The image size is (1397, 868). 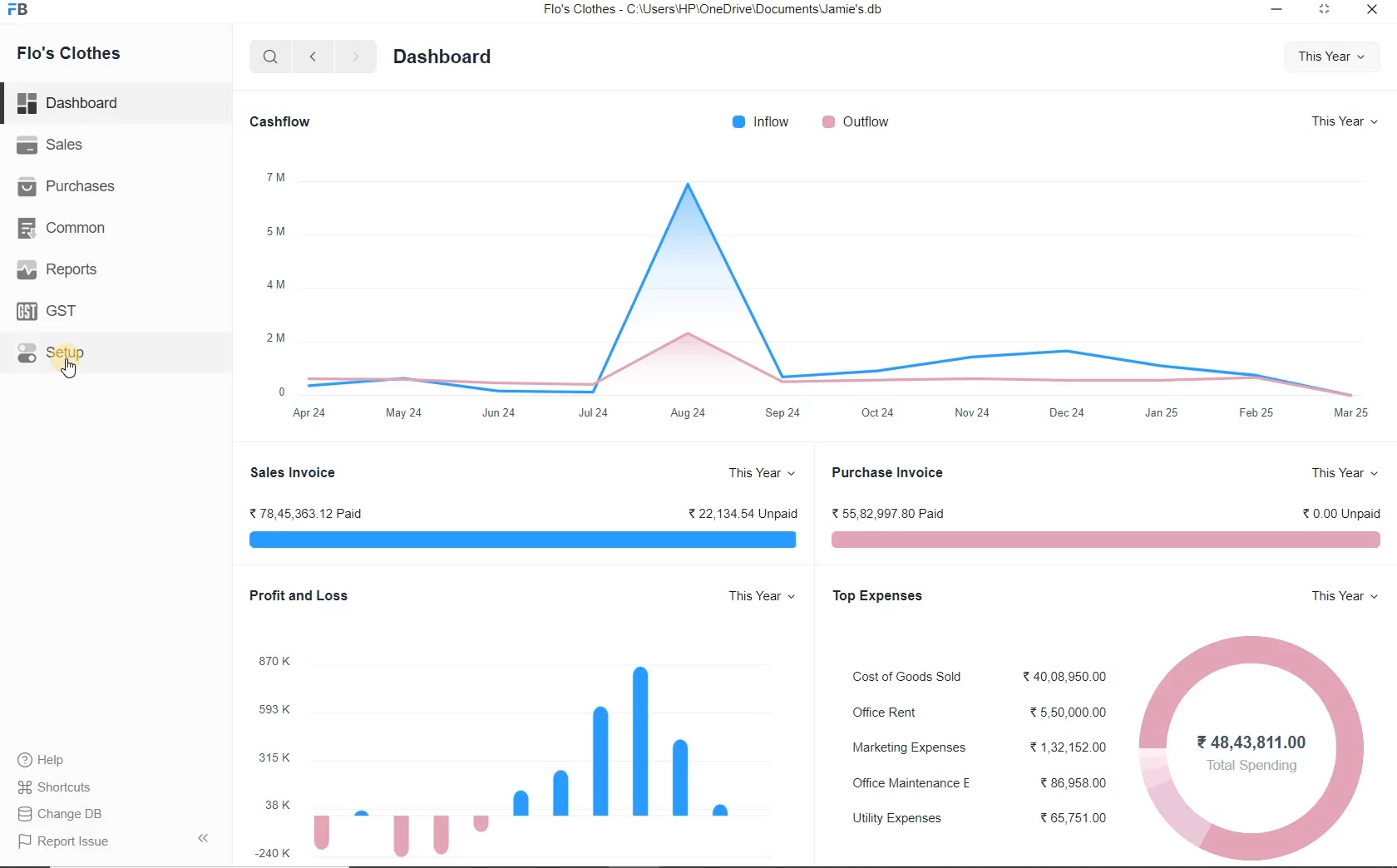 I want to click on Purchases, so click(x=116, y=184).